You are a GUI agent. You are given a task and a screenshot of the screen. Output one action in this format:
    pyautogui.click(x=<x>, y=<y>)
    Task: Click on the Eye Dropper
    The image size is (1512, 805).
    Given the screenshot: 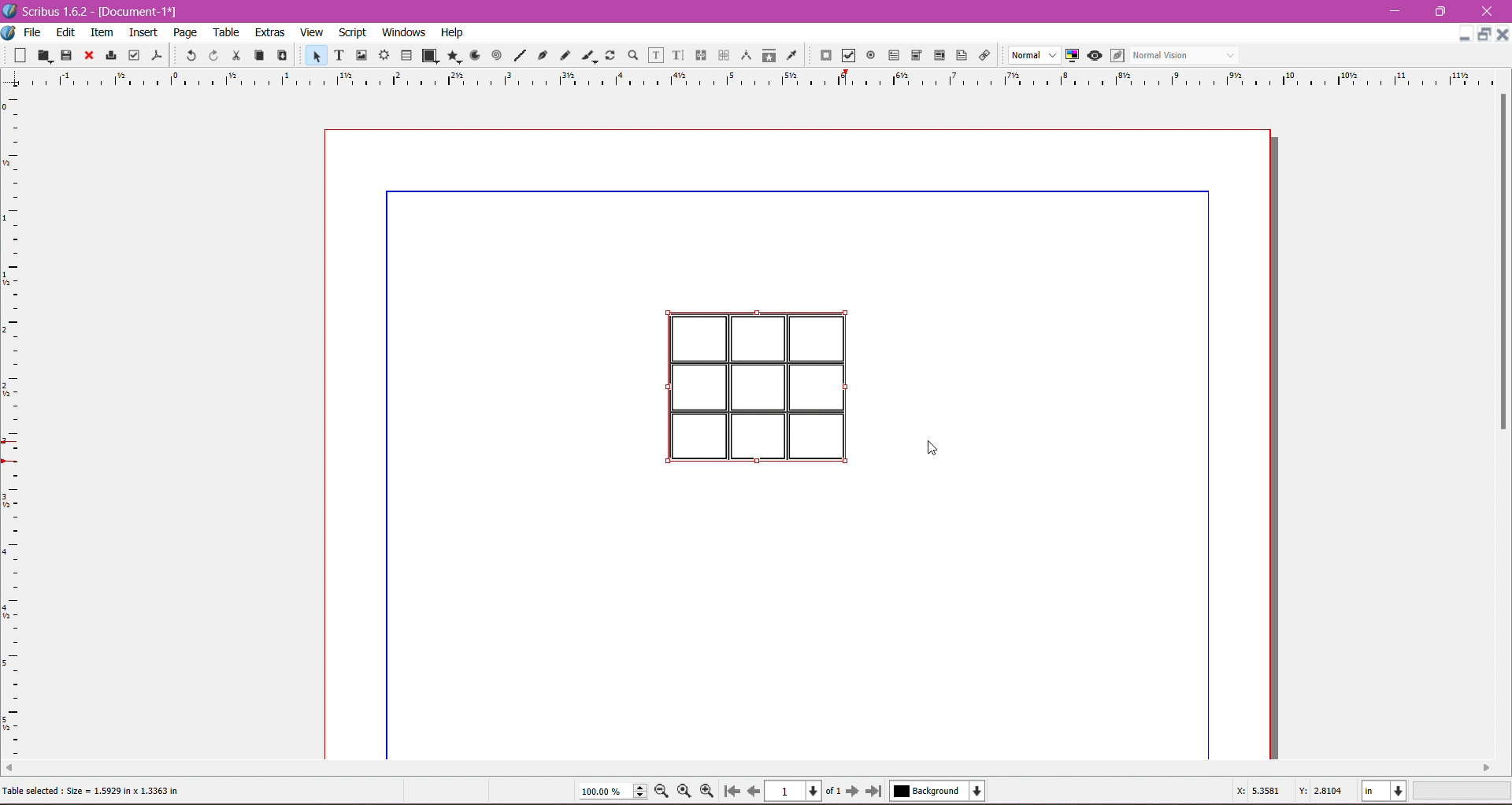 What is the action you would take?
    pyautogui.click(x=791, y=55)
    